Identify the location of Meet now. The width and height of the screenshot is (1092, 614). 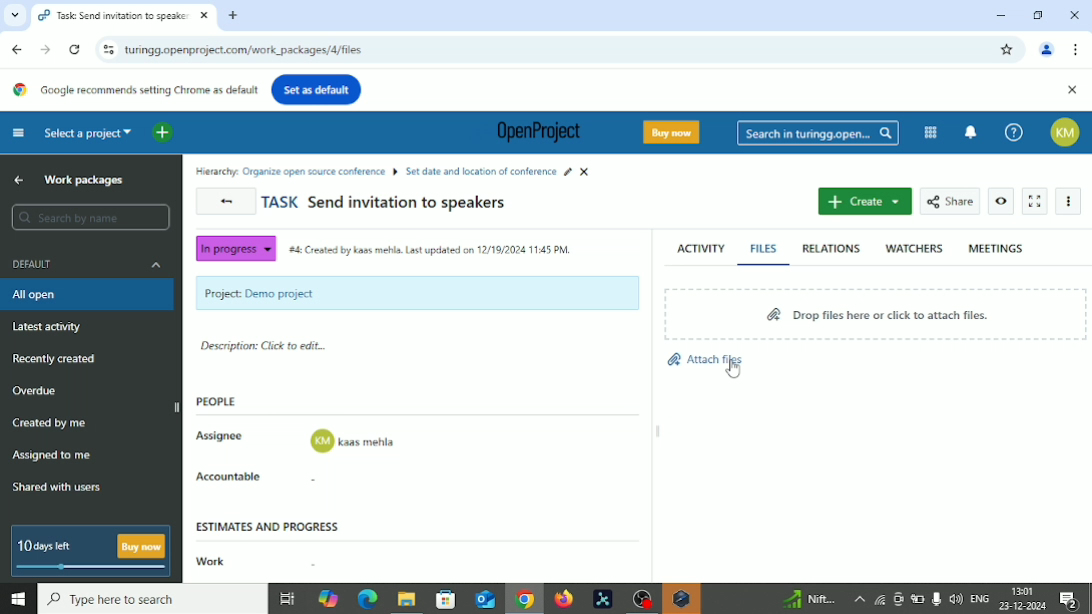
(898, 599).